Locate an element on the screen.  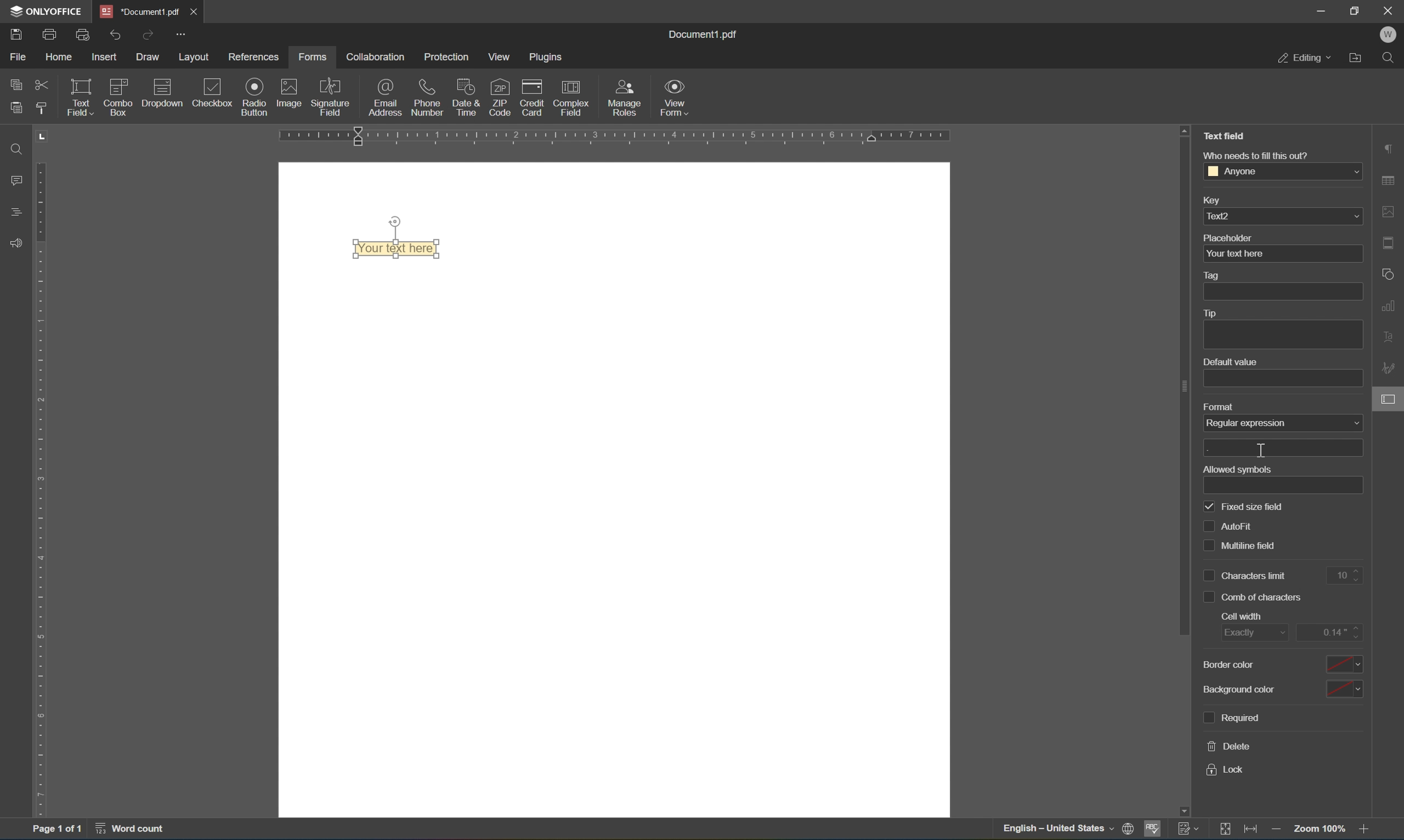
Text Field is located at coordinates (1226, 136).